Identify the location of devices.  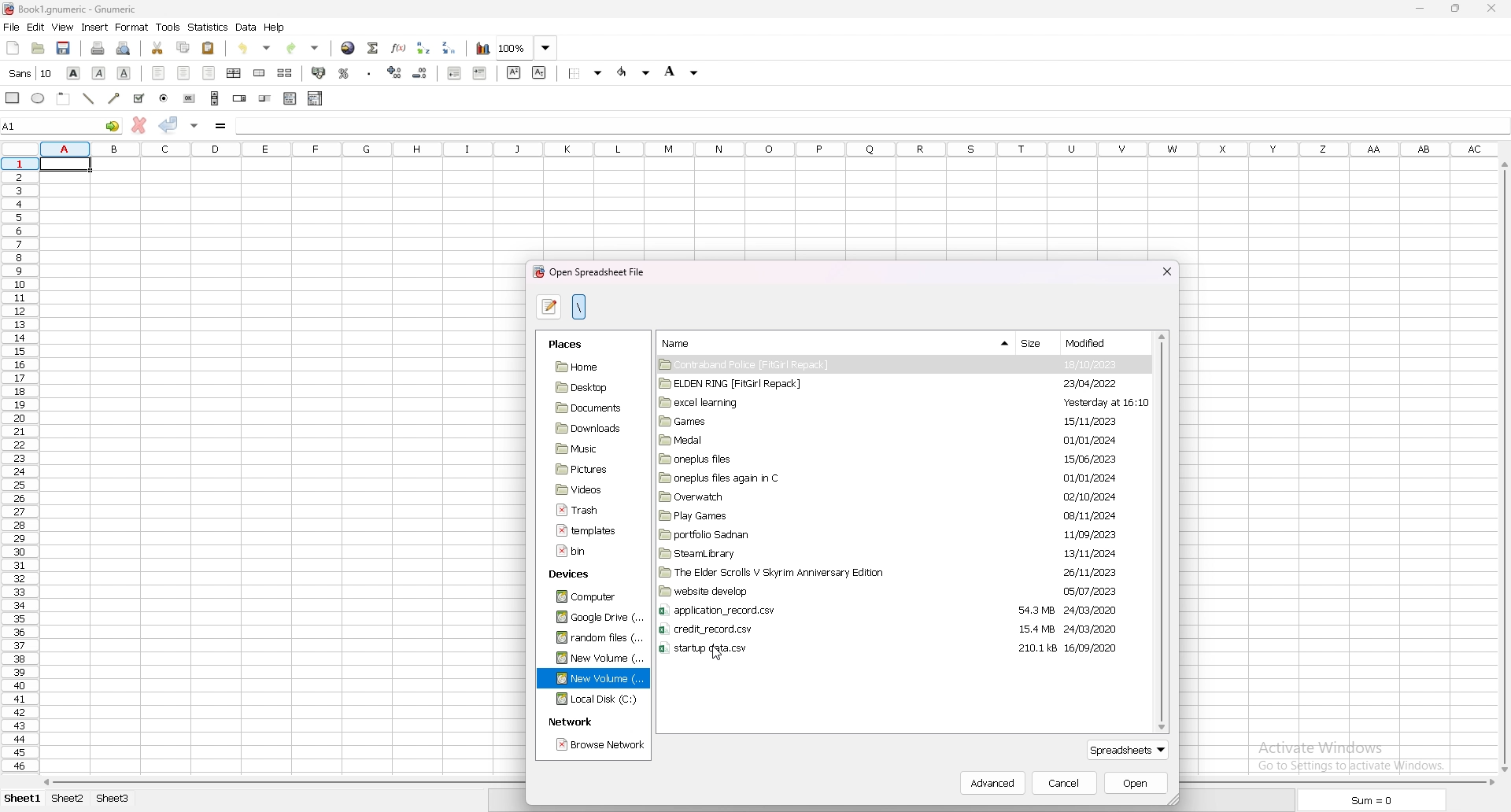
(578, 571).